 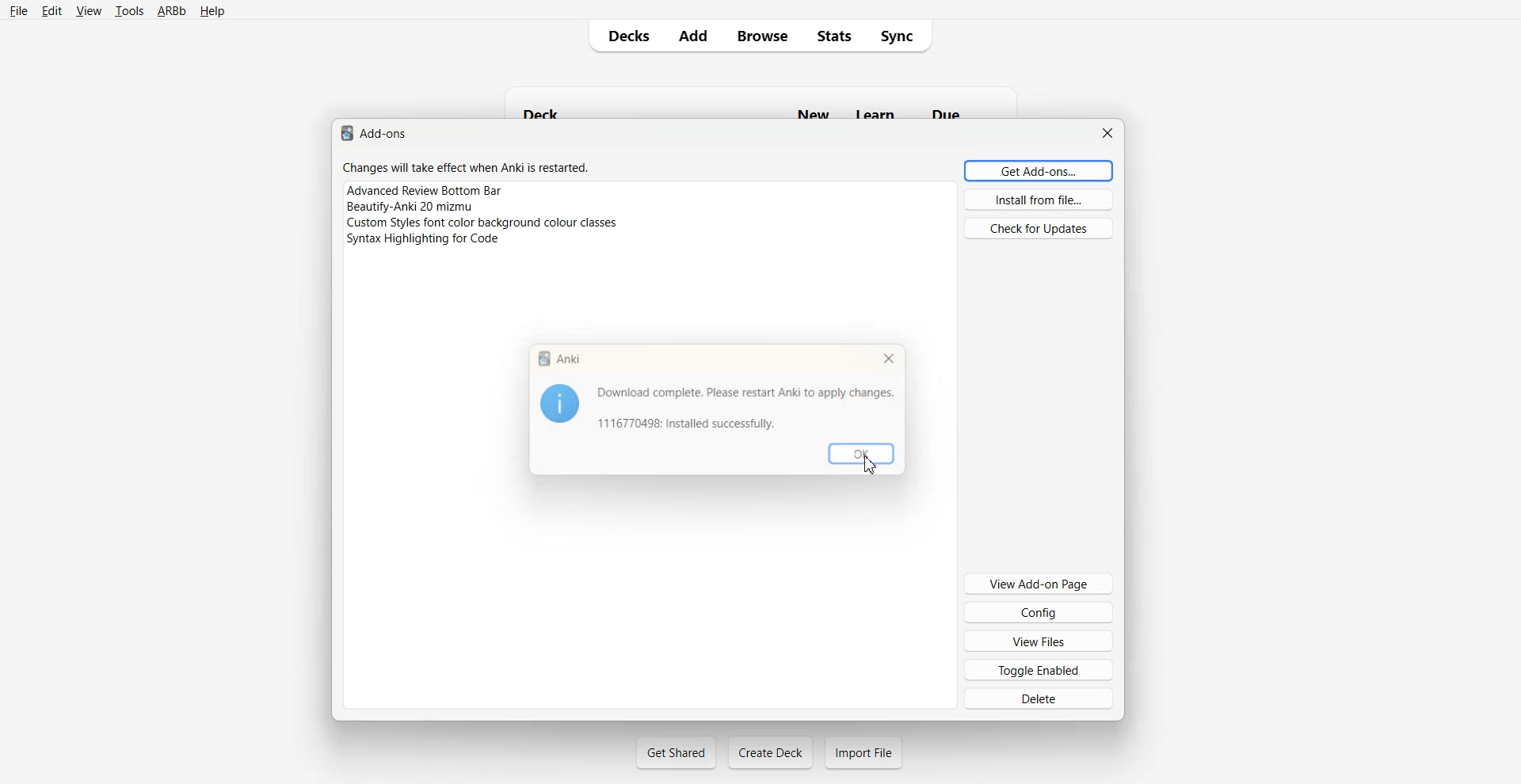 I want to click on Browse, so click(x=761, y=36).